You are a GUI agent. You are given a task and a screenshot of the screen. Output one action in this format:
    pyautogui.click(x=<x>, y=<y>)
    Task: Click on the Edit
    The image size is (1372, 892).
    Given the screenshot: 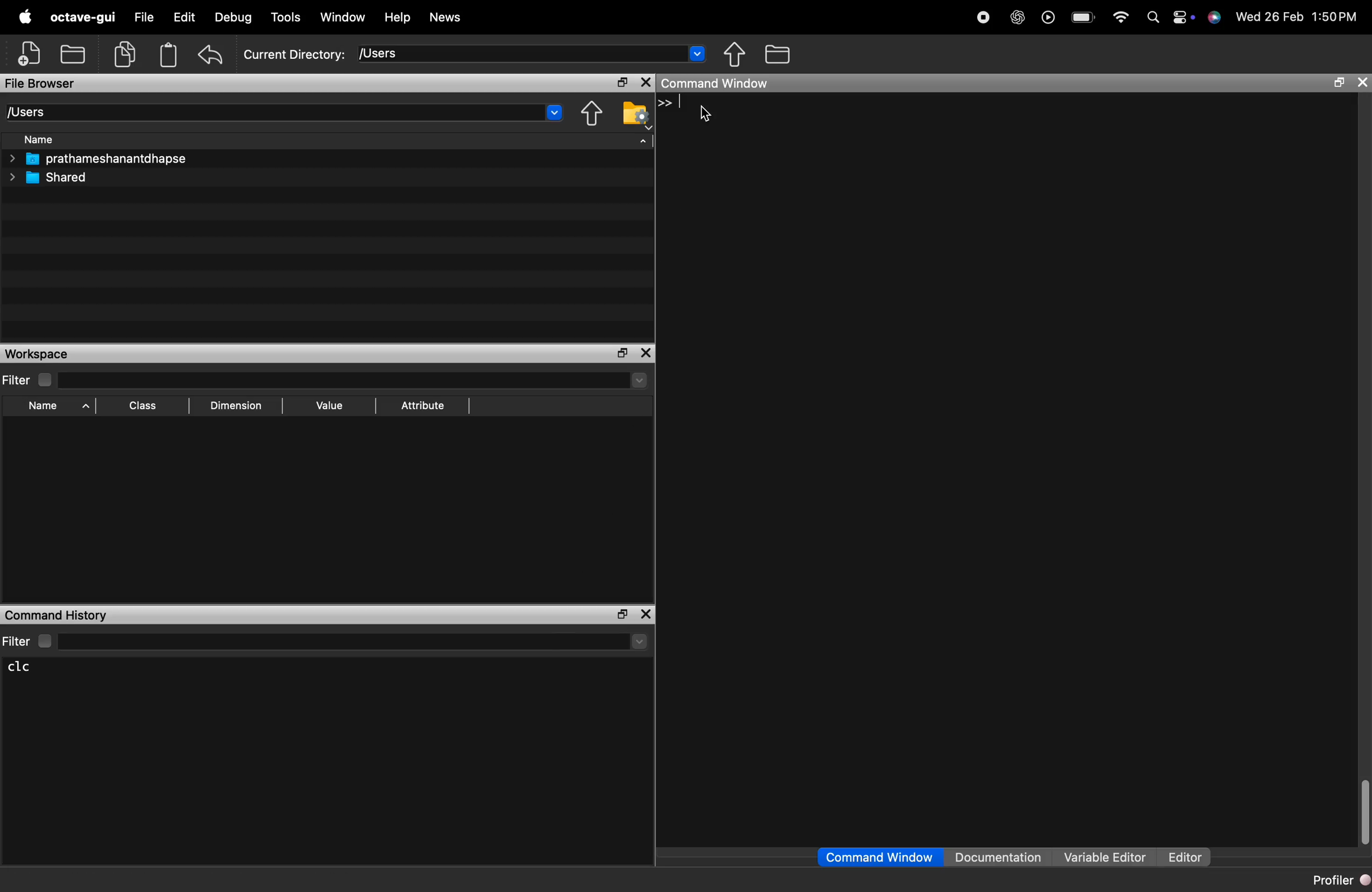 What is the action you would take?
    pyautogui.click(x=184, y=17)
    